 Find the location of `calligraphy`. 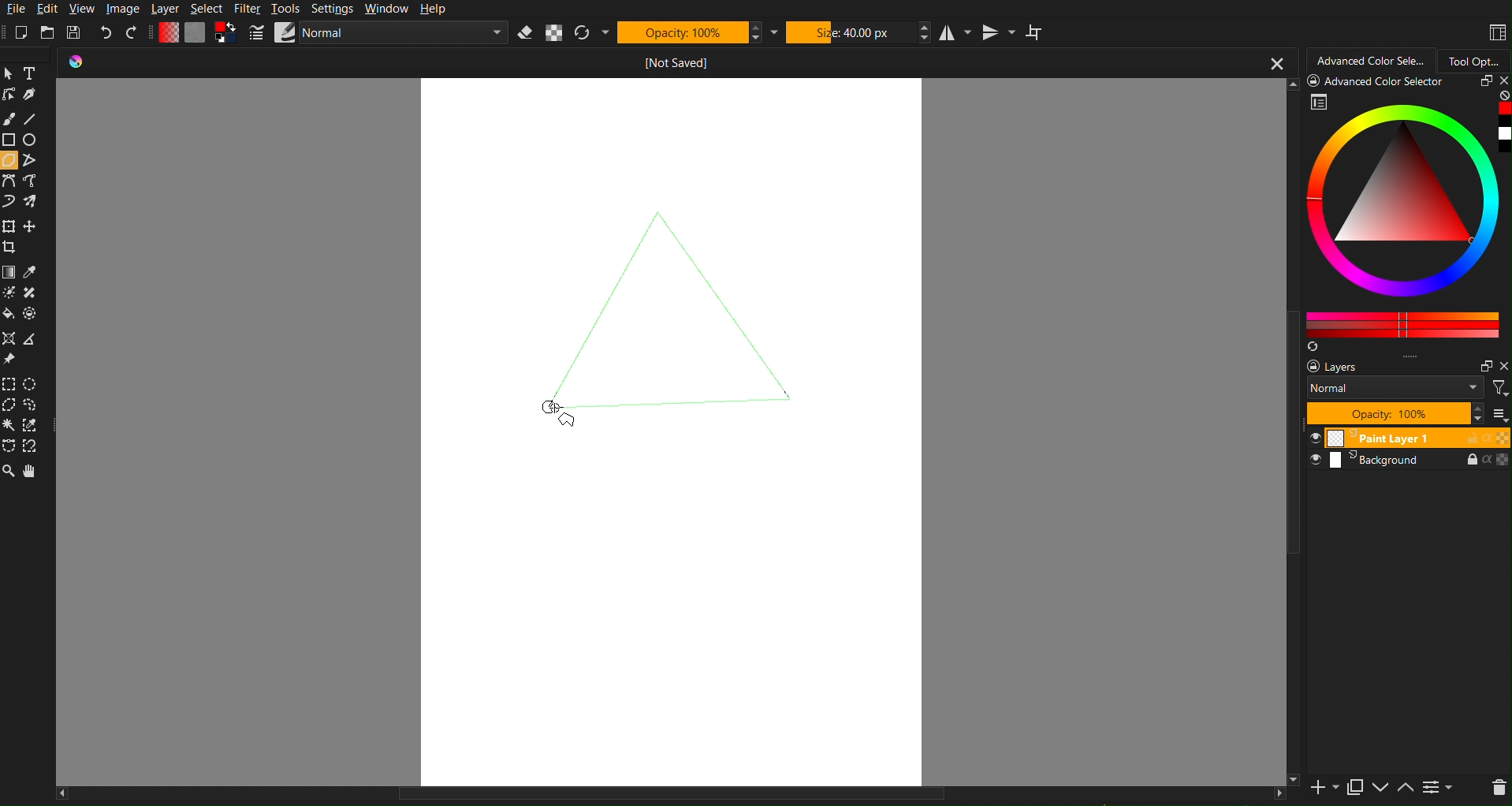

calligraphy is located at coordinates (38, 96).